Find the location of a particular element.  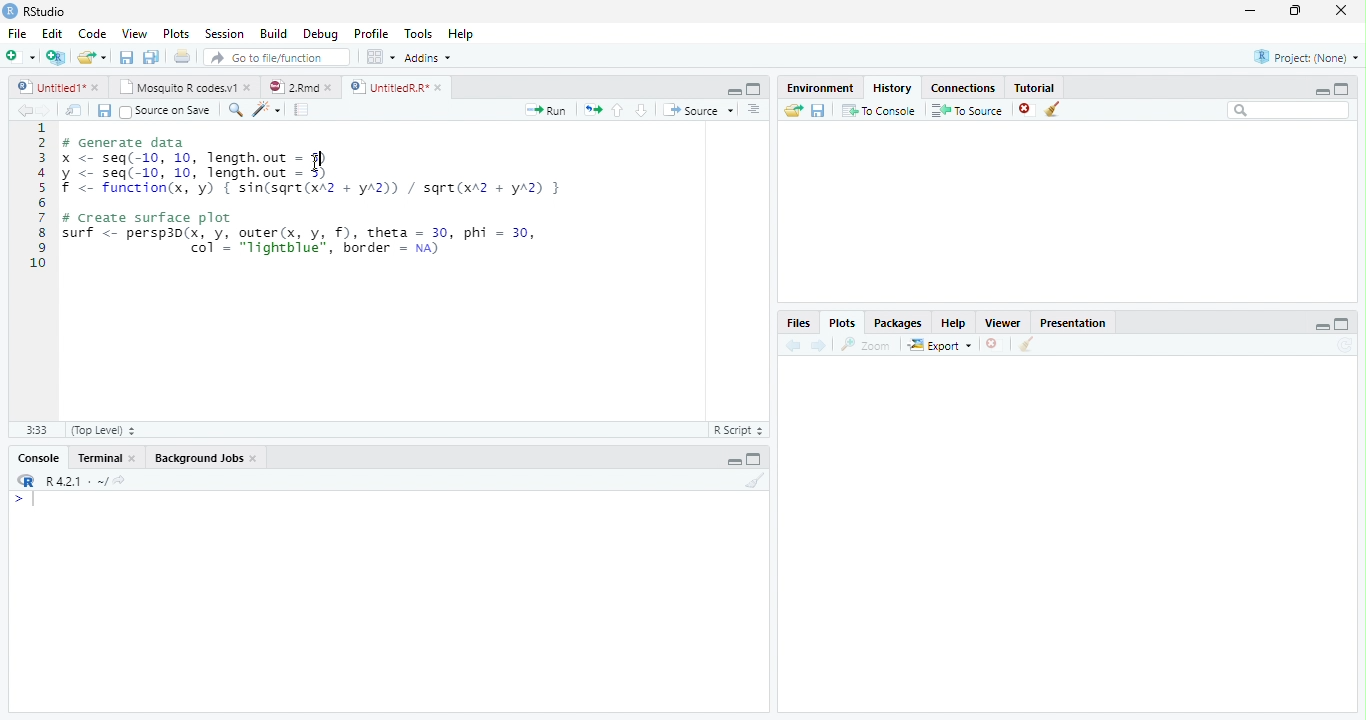

Load history from an existing file is located at coordinates (792, 111).